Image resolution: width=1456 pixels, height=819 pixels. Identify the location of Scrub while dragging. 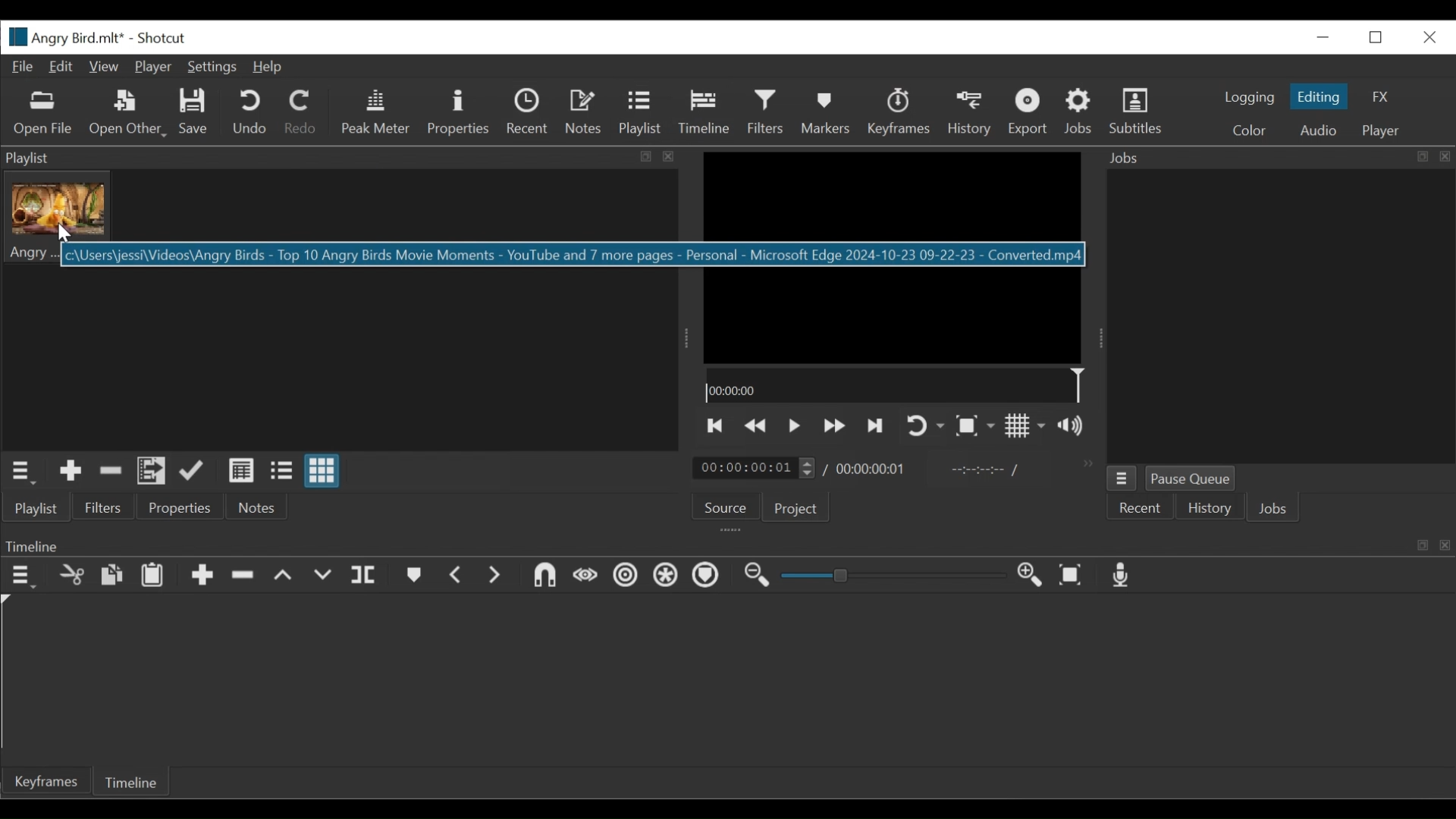
(586, 576).